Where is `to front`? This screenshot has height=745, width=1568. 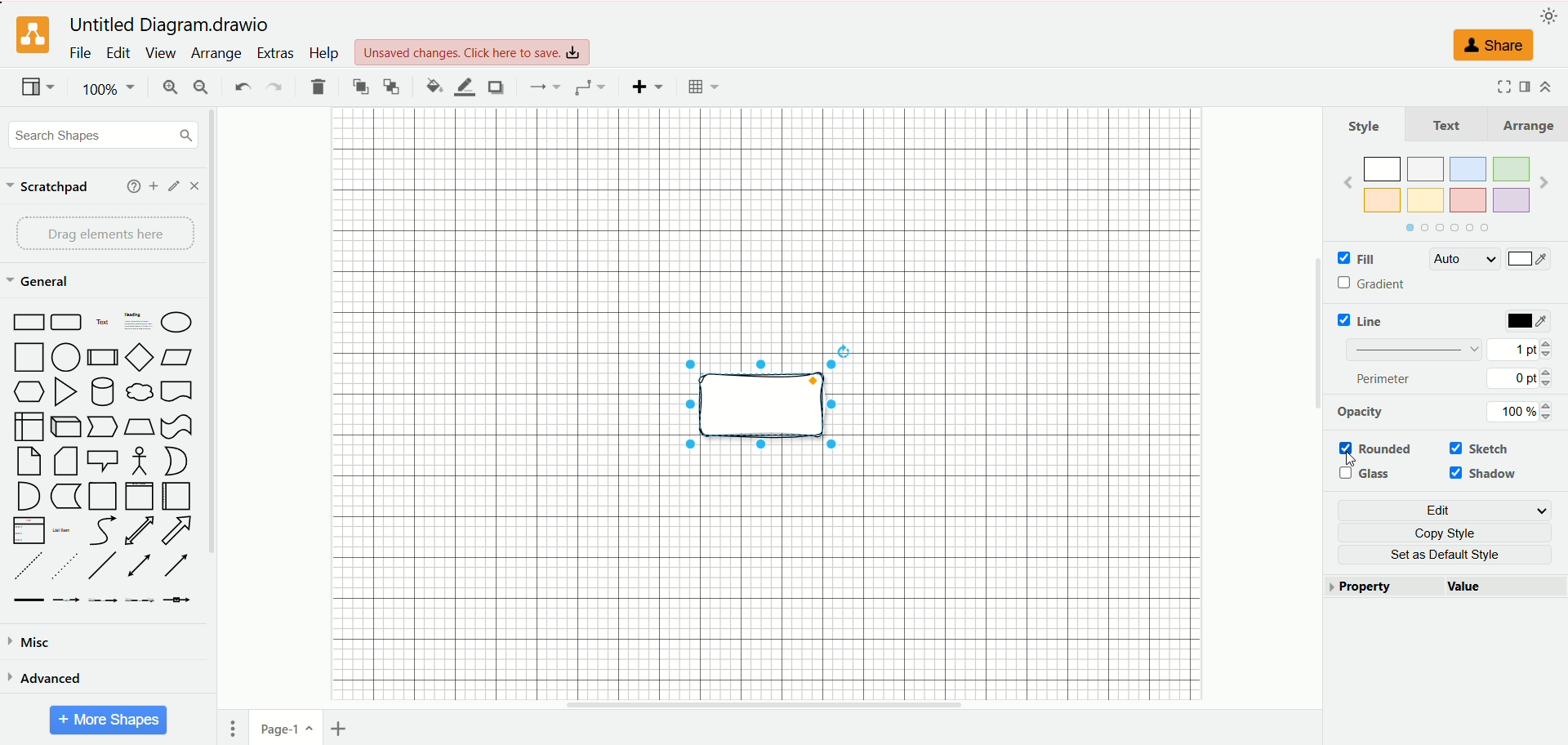 to front is located at coordinates (362, 86).